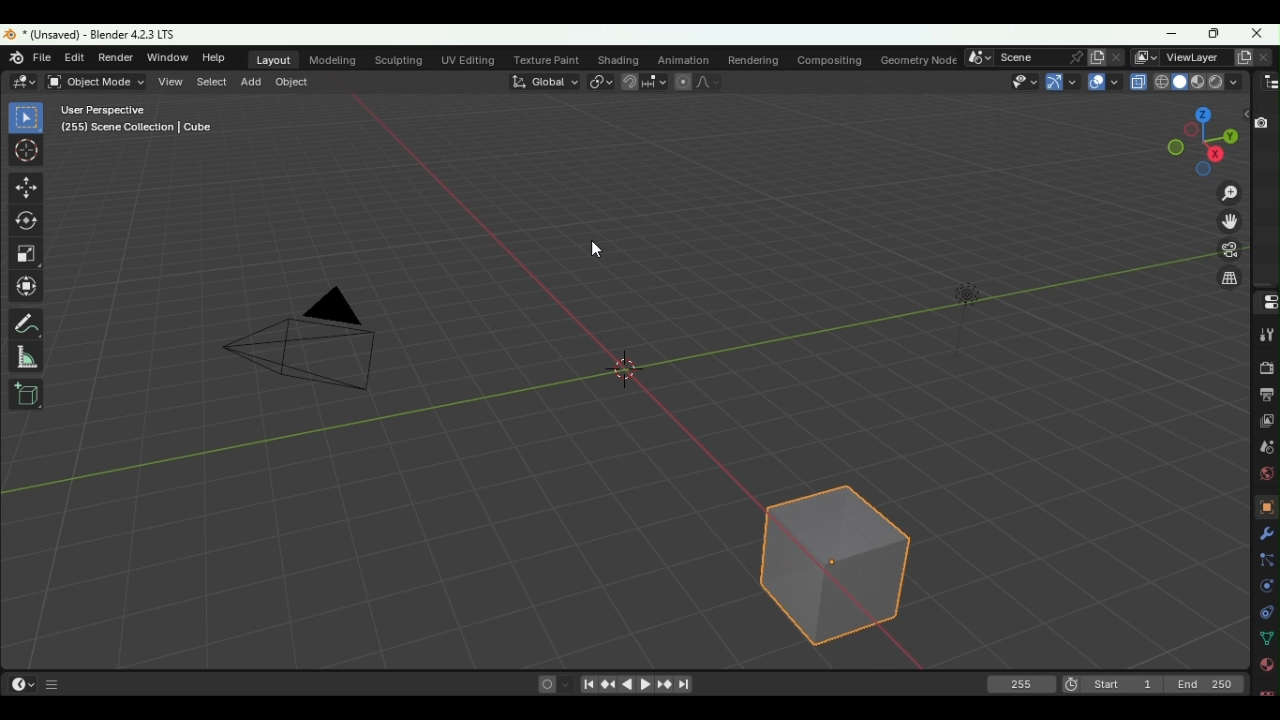 Image resolution: width=1280 pixels, height=720 pixels. Describe the element at coordinates (1104, 82) in the screenshot. I see `show overlays` at that location.